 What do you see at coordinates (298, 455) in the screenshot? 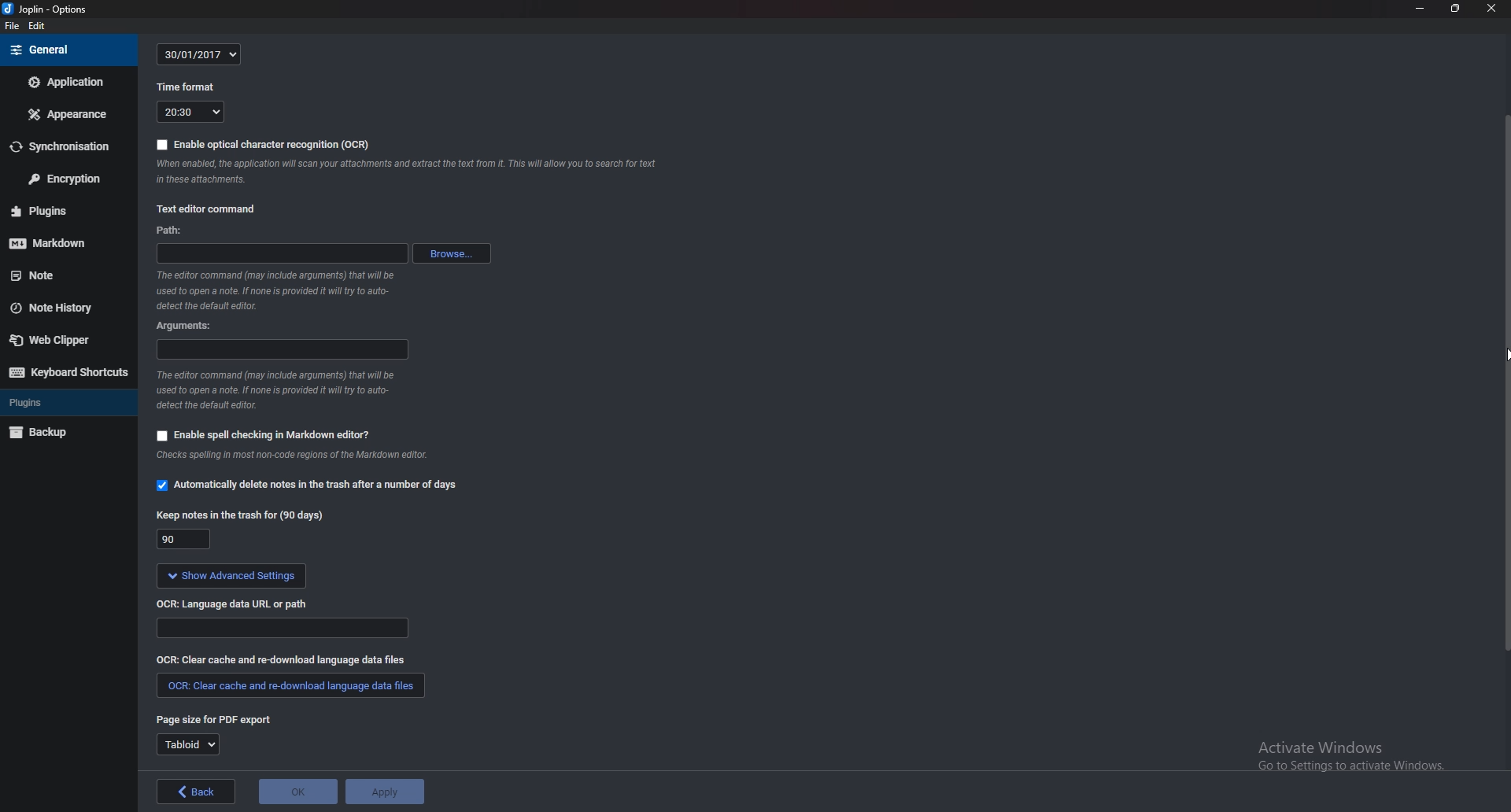
I see `info` at bounding box center [298, 455].